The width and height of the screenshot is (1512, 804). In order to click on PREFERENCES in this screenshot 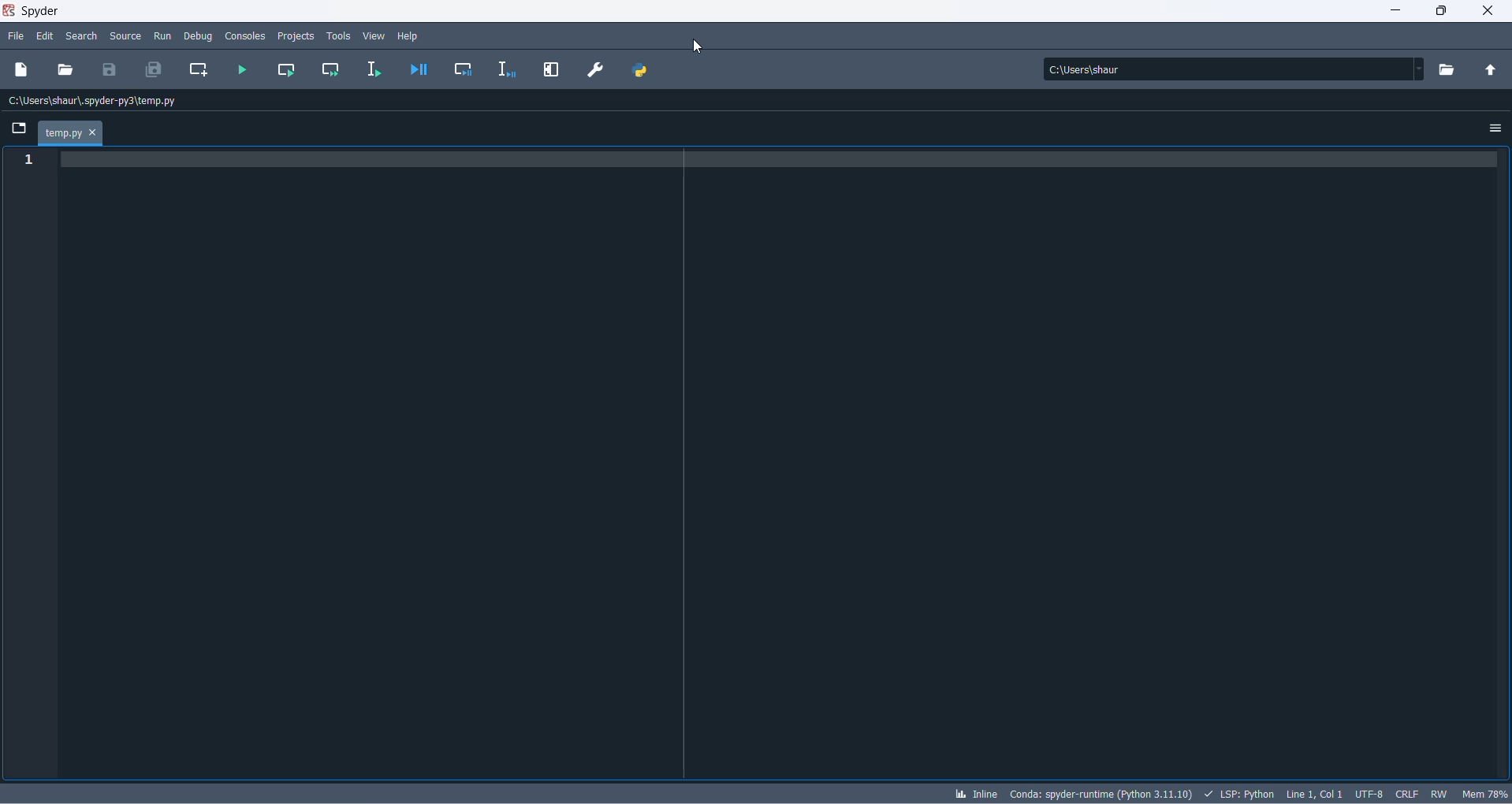, I will do `click(597, 70)`.